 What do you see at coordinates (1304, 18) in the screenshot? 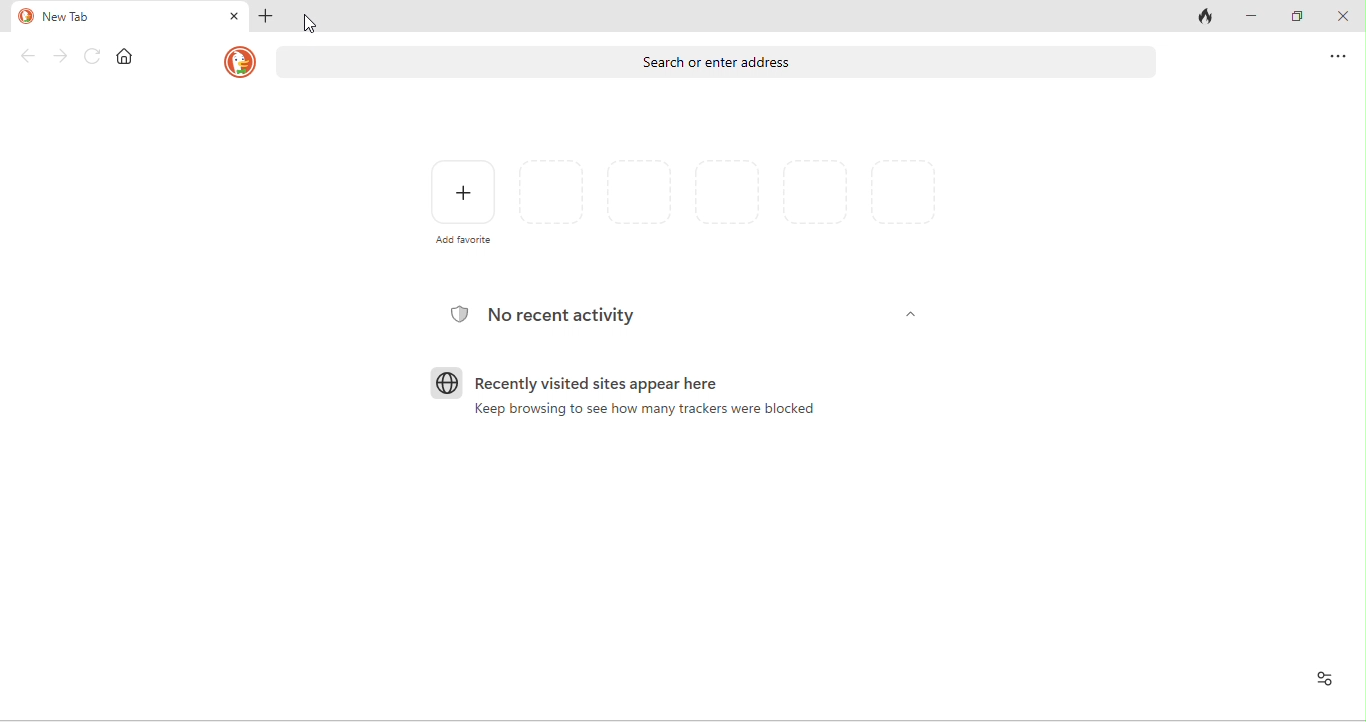
I see `maximize` at bounding box center [1304, 18].